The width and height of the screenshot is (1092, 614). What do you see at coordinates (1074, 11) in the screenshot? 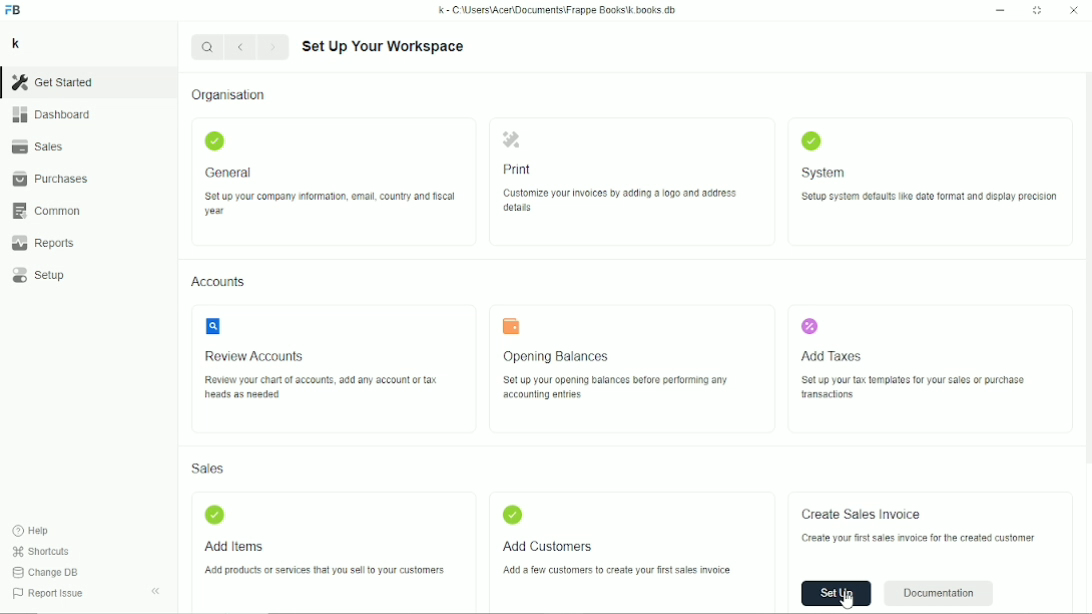
I see `Close` at bounding box center [1074, 11].